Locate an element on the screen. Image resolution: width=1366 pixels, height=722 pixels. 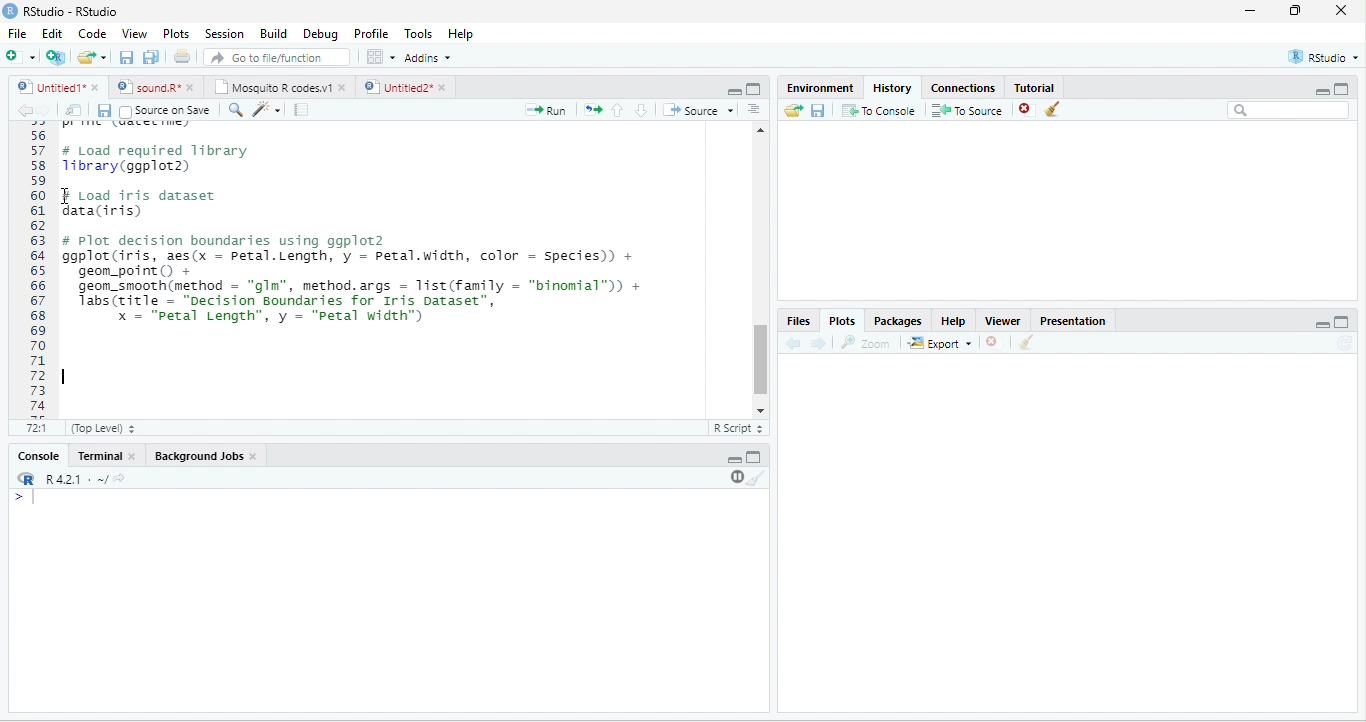
search bar is located at coordinates (1289, 109).